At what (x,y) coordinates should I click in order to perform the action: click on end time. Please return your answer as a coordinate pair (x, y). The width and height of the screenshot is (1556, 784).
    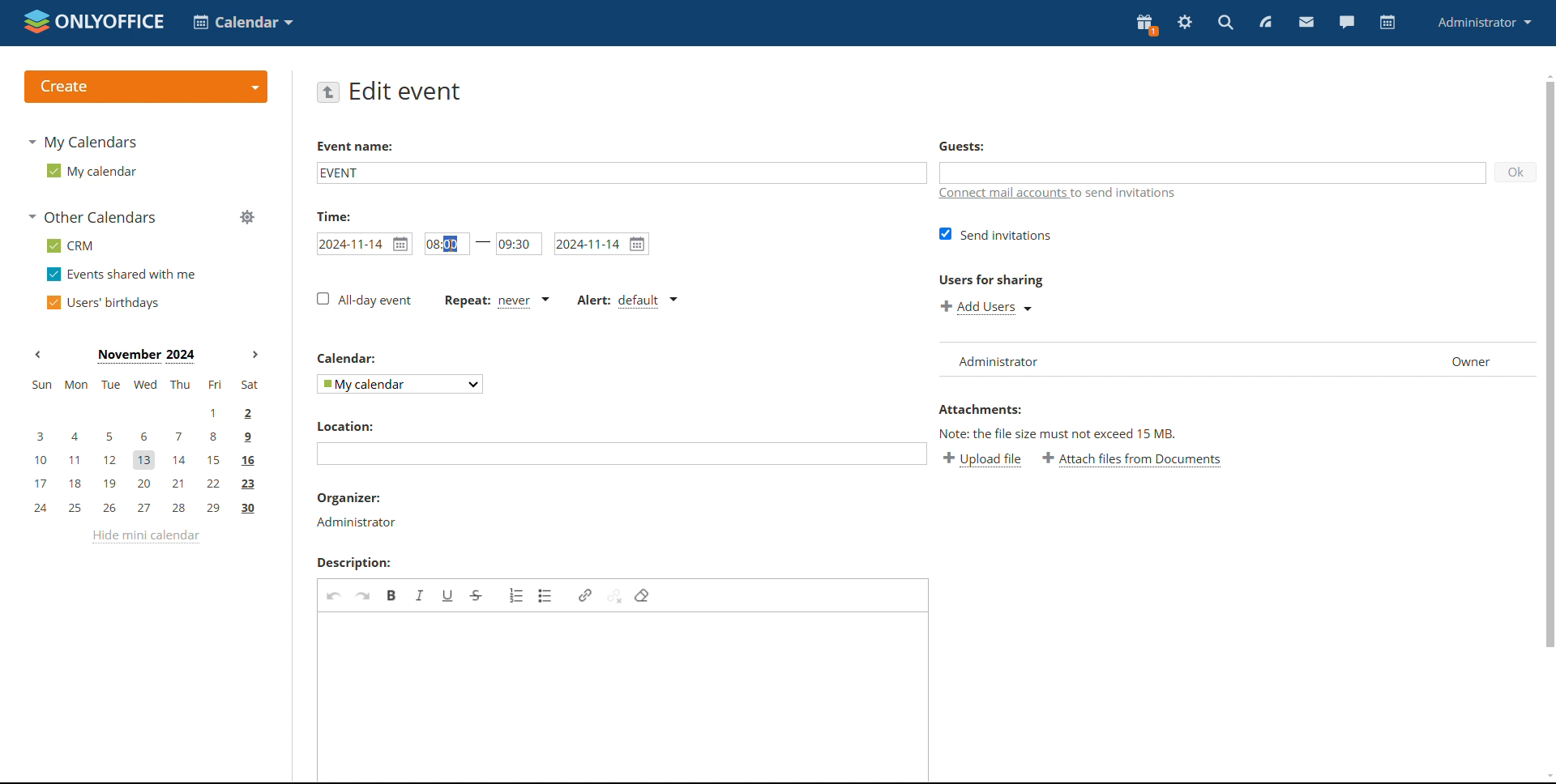
    Looking at the image, I should click on (519, 244).